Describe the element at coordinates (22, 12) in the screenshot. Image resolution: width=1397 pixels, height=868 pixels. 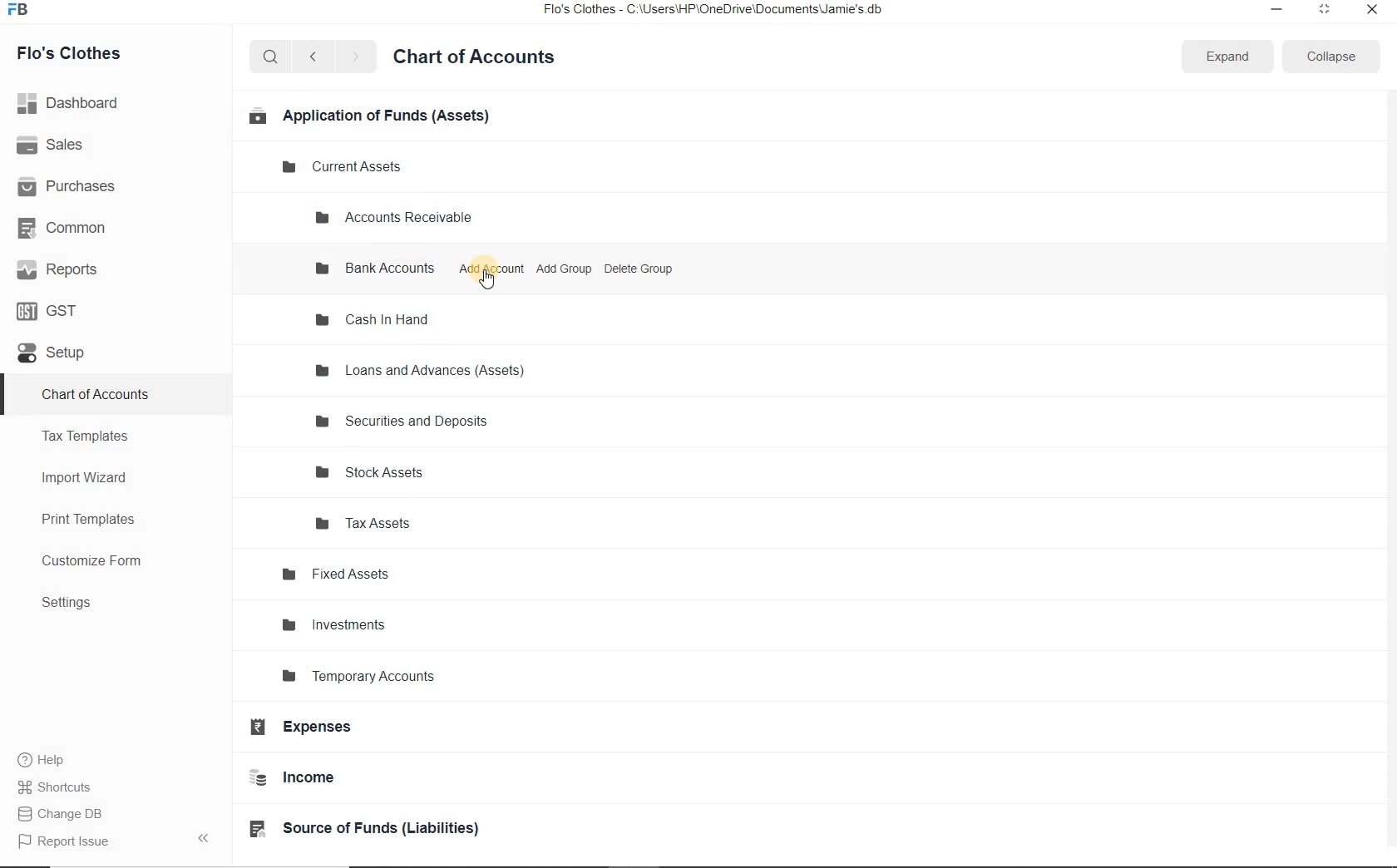
I see `Frappe Books logo` at that location.